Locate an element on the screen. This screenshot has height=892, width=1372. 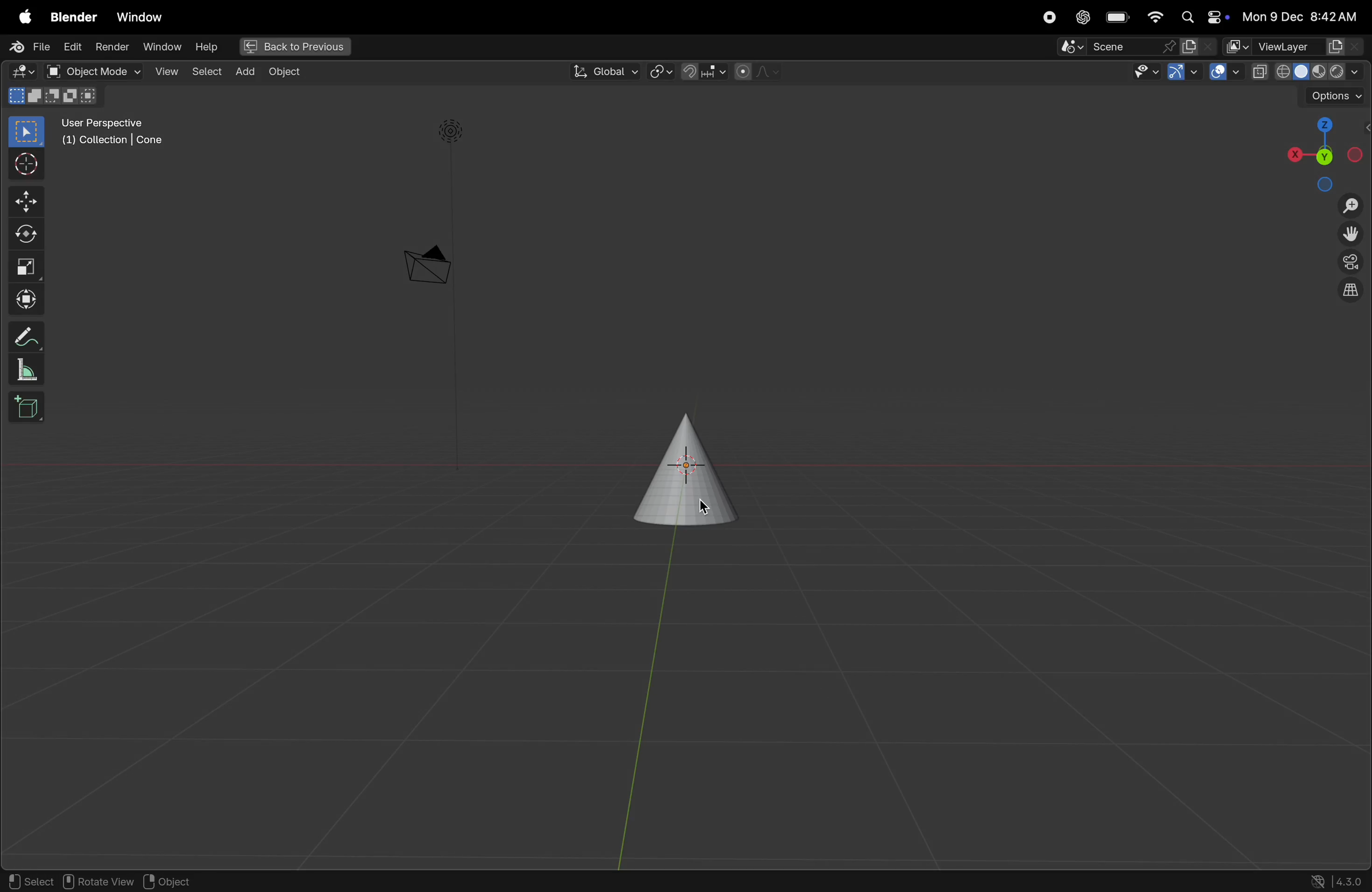
Pin scene is located at coordinates (1115, 47).